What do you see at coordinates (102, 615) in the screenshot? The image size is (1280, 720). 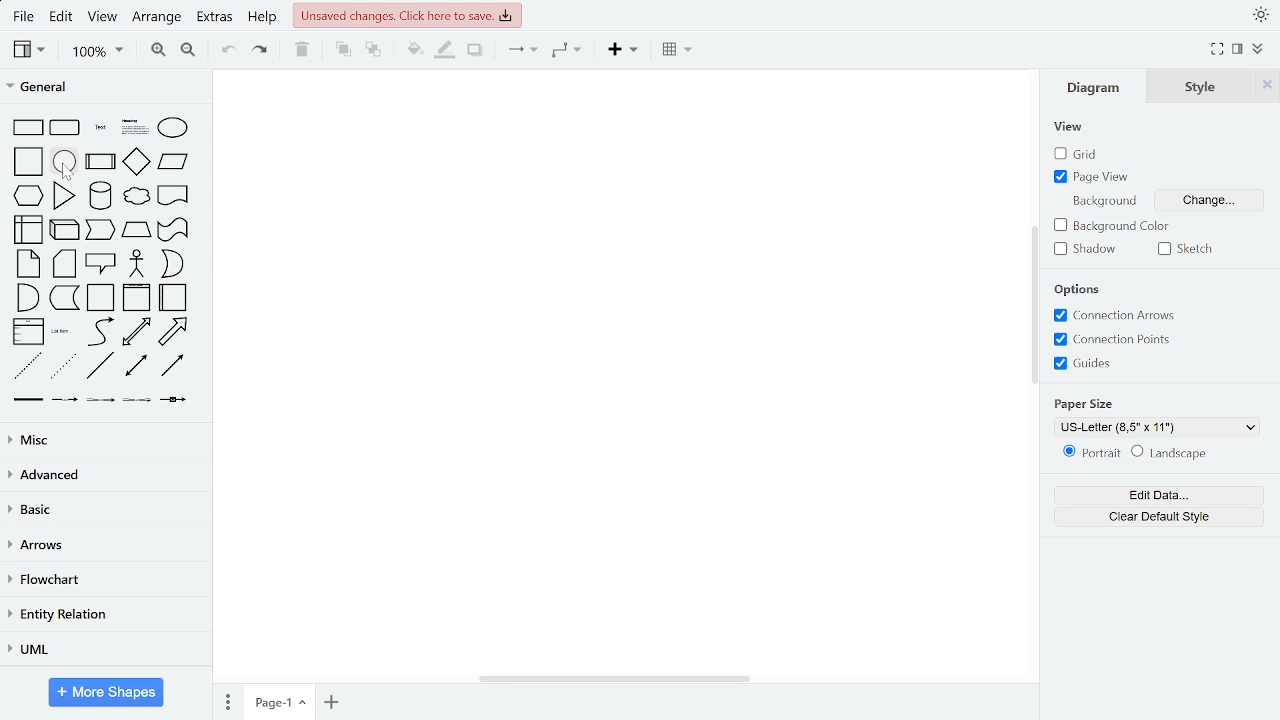 I see `entity relation` at bounding box center [102, 615].